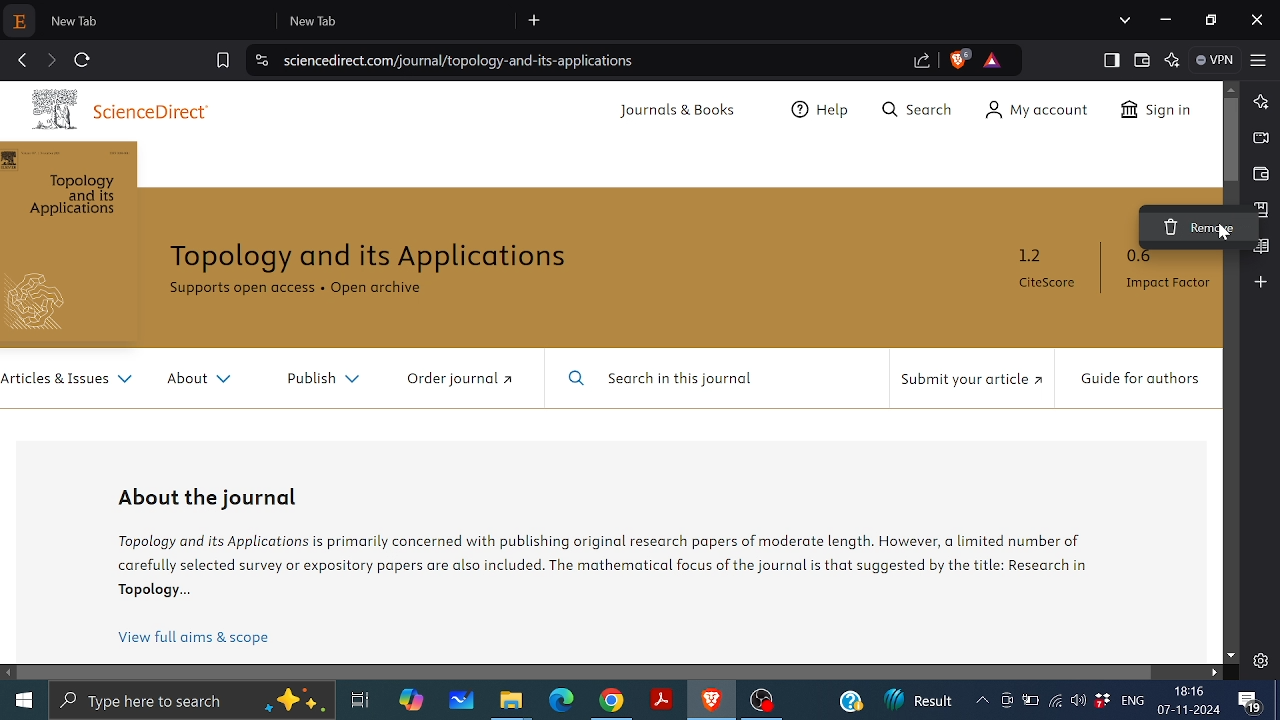 The width and height of the screenshot is (1280, 720). What do you see at coordinates (9, 673) in the screenshot?
I see `Move left` at bounding box center [9, 673].